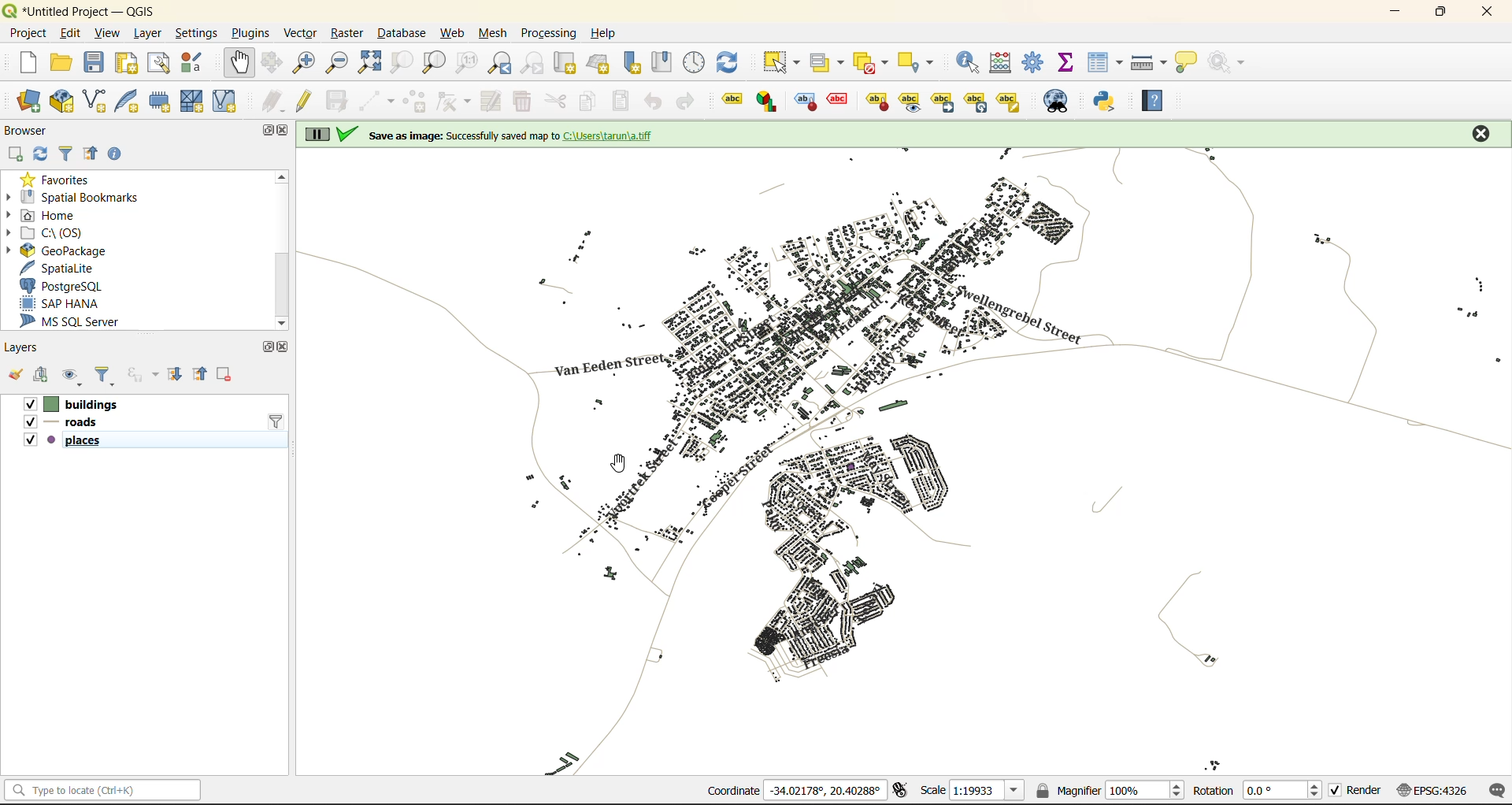 Image resolution: width=1512 pixels, height=805 pixels. Describe the element at coordinates (148, 32) in the screenshot. I see `layer` at that location.